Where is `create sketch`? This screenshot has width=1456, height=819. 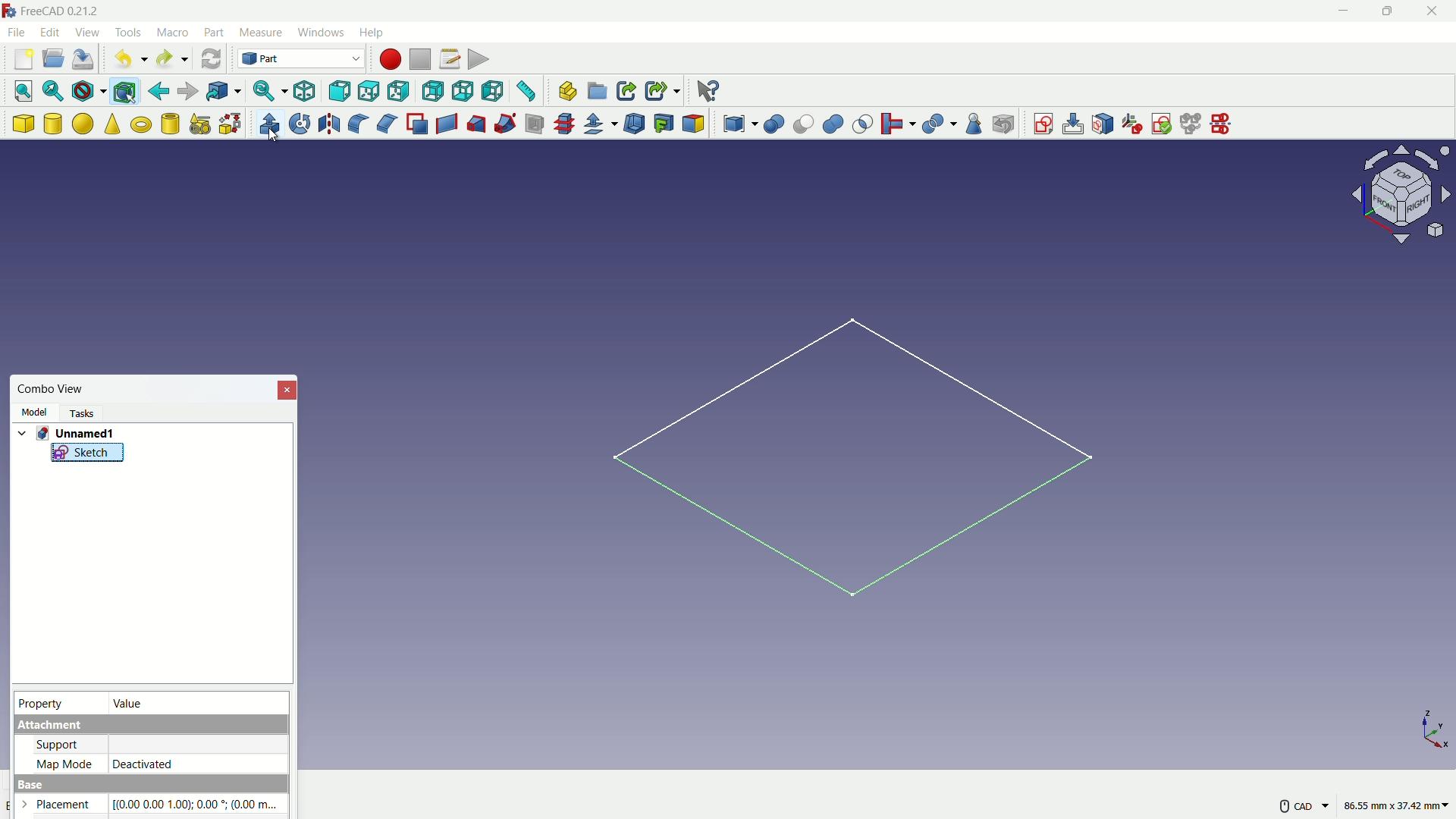 create sketch is located at coordinates (1043, 122).